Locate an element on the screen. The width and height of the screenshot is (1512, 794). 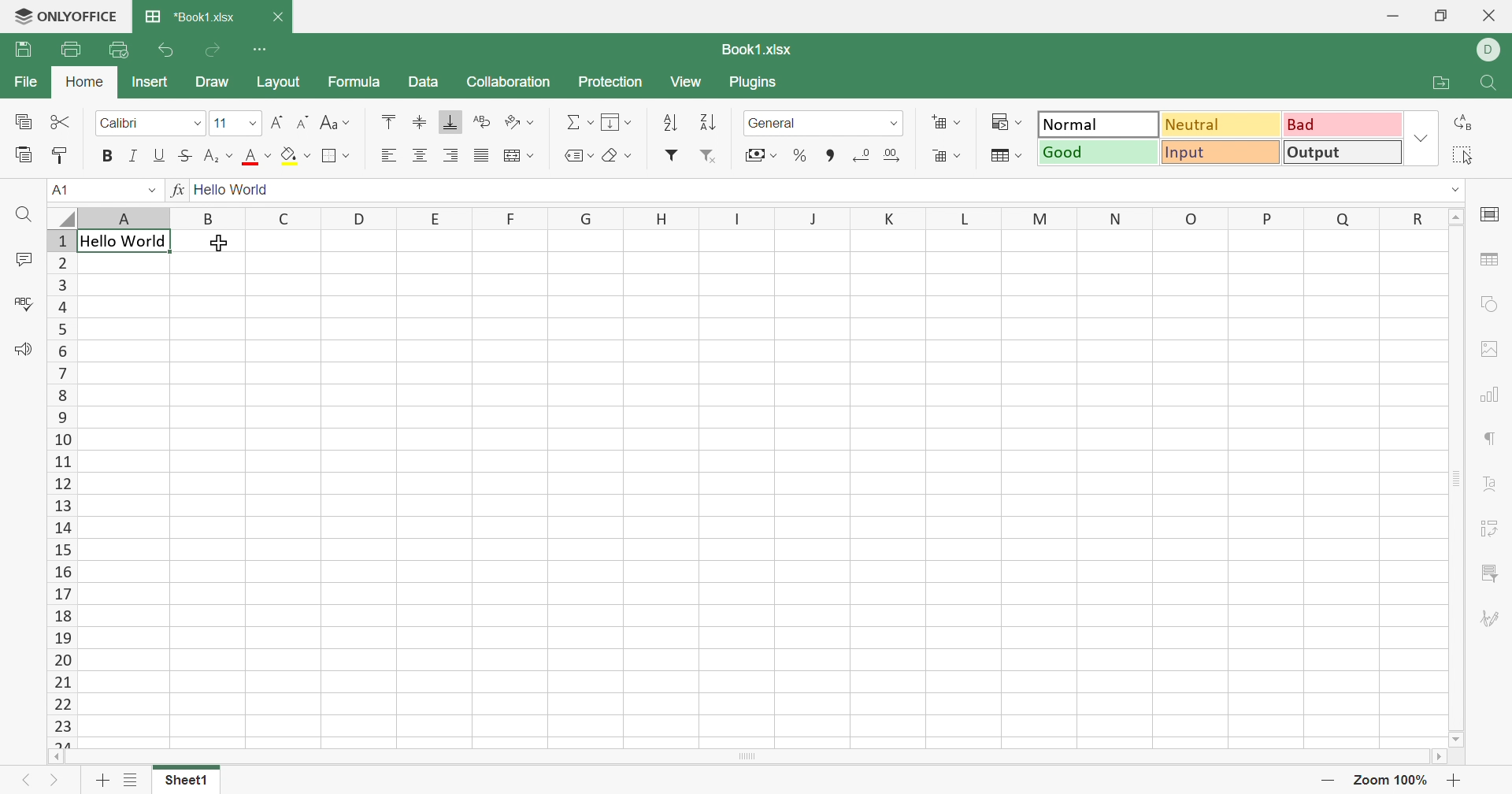
Find is located at coordinates (1493, 84).